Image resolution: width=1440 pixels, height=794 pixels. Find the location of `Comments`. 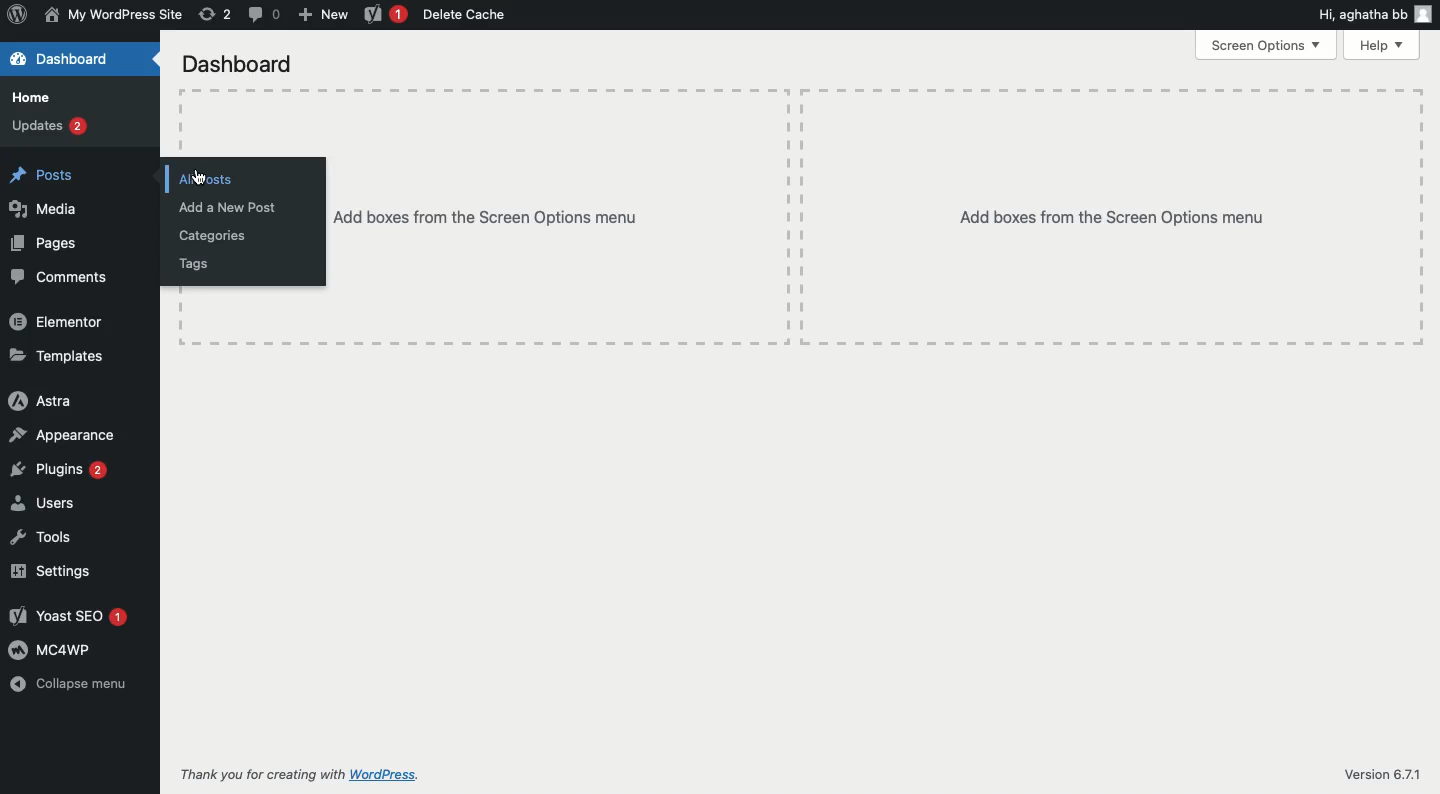

Comments is located at coordinates (62, 277).